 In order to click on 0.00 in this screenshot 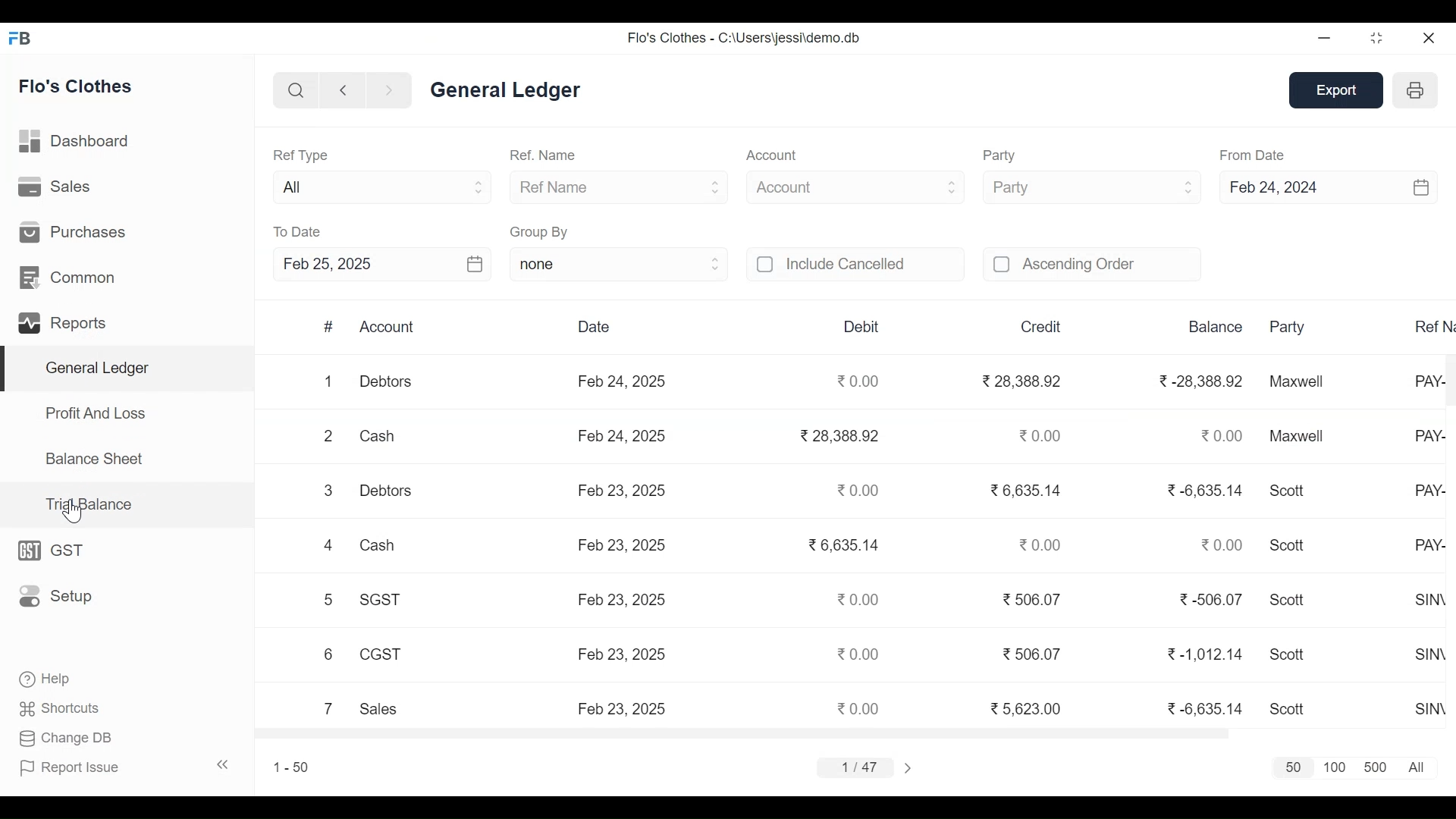, I will do `click(1225, 544)`.